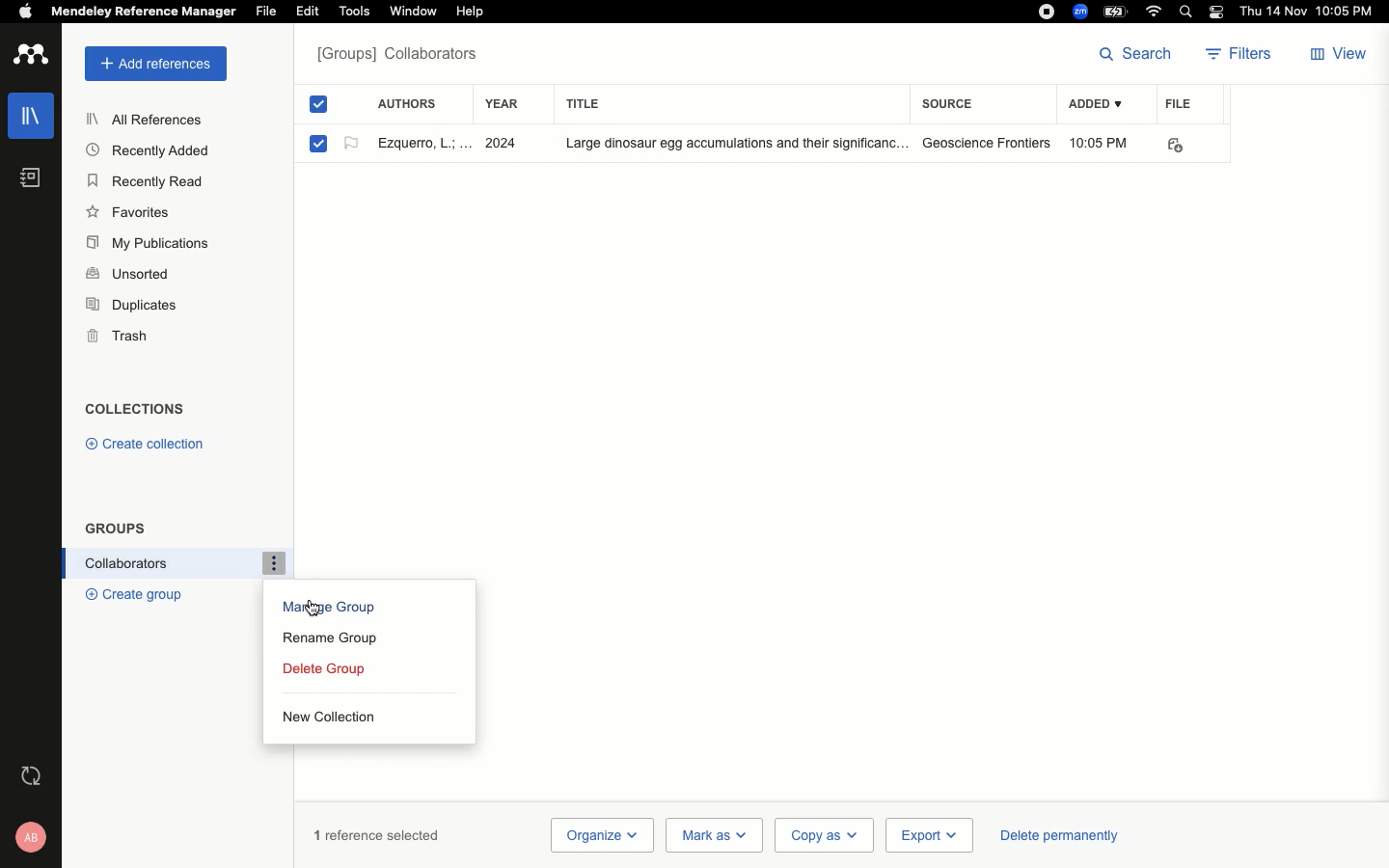 The width and height of the screenshot is (1389, 868). Describe the element at coordinates (34, 116) in the screenshot. I see `Library` at that location.